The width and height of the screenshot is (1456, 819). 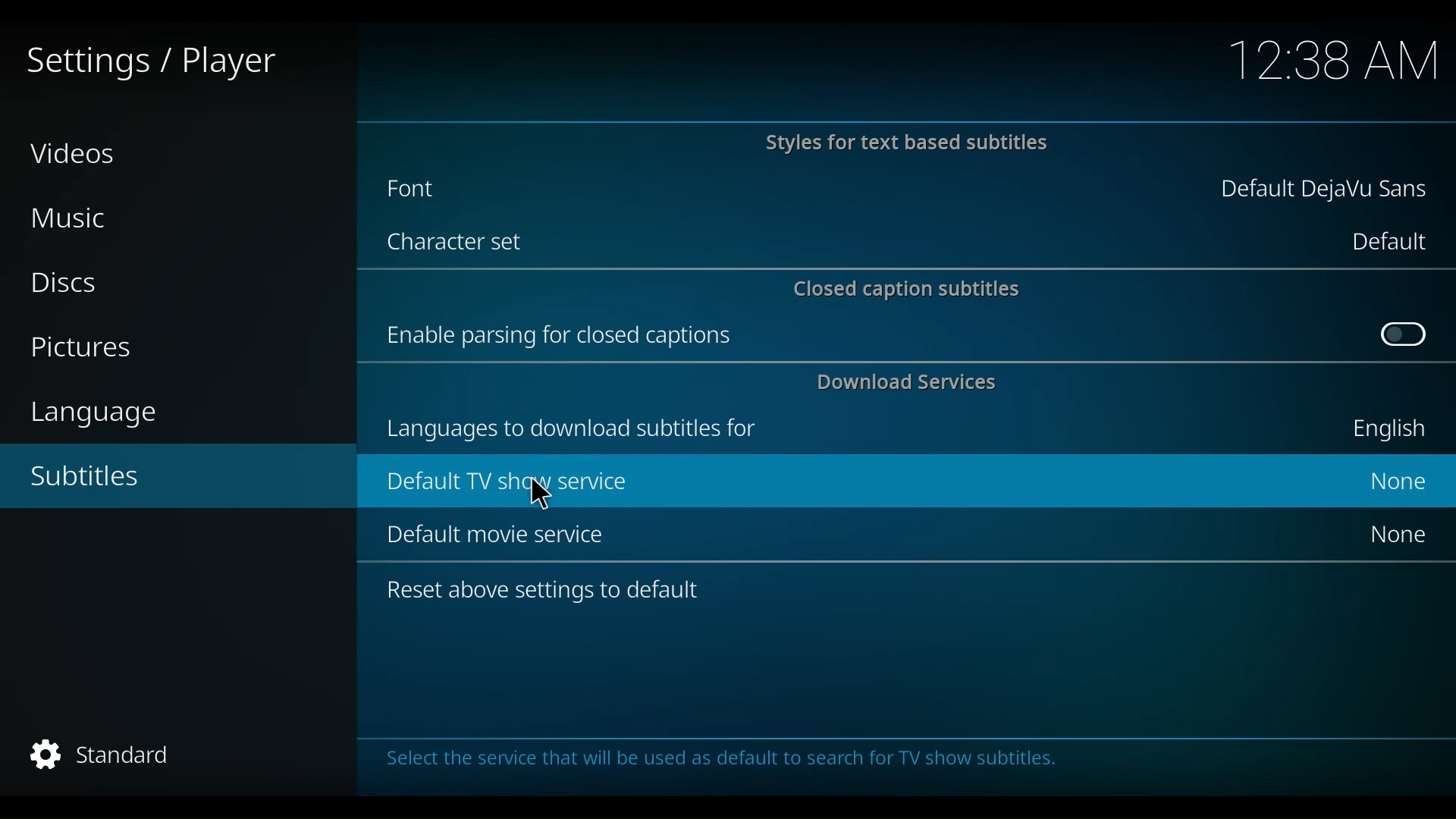 I want to click on Subtitles, so click(x=97, y=479).